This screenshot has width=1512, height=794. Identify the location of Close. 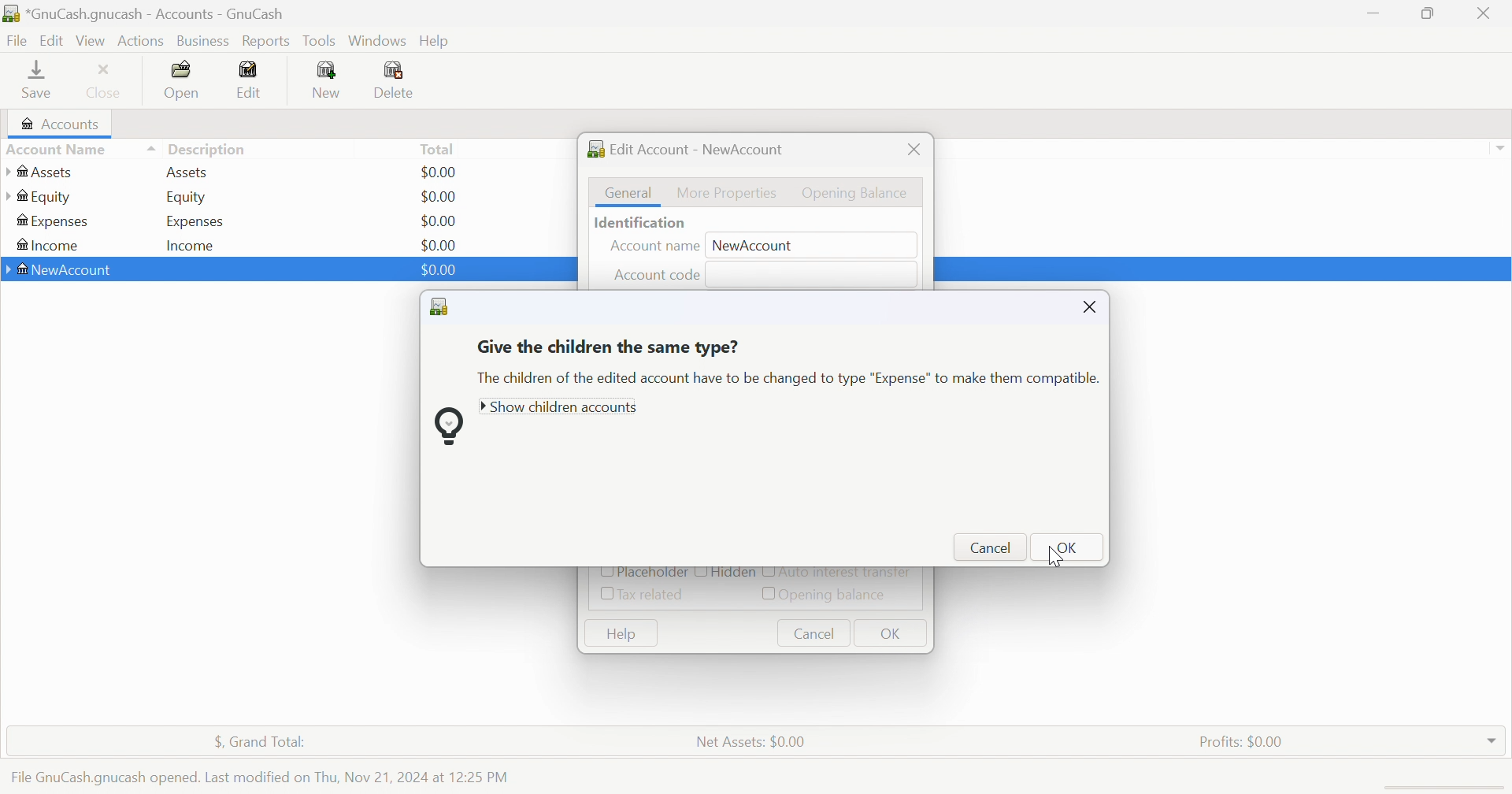
(914, 149).